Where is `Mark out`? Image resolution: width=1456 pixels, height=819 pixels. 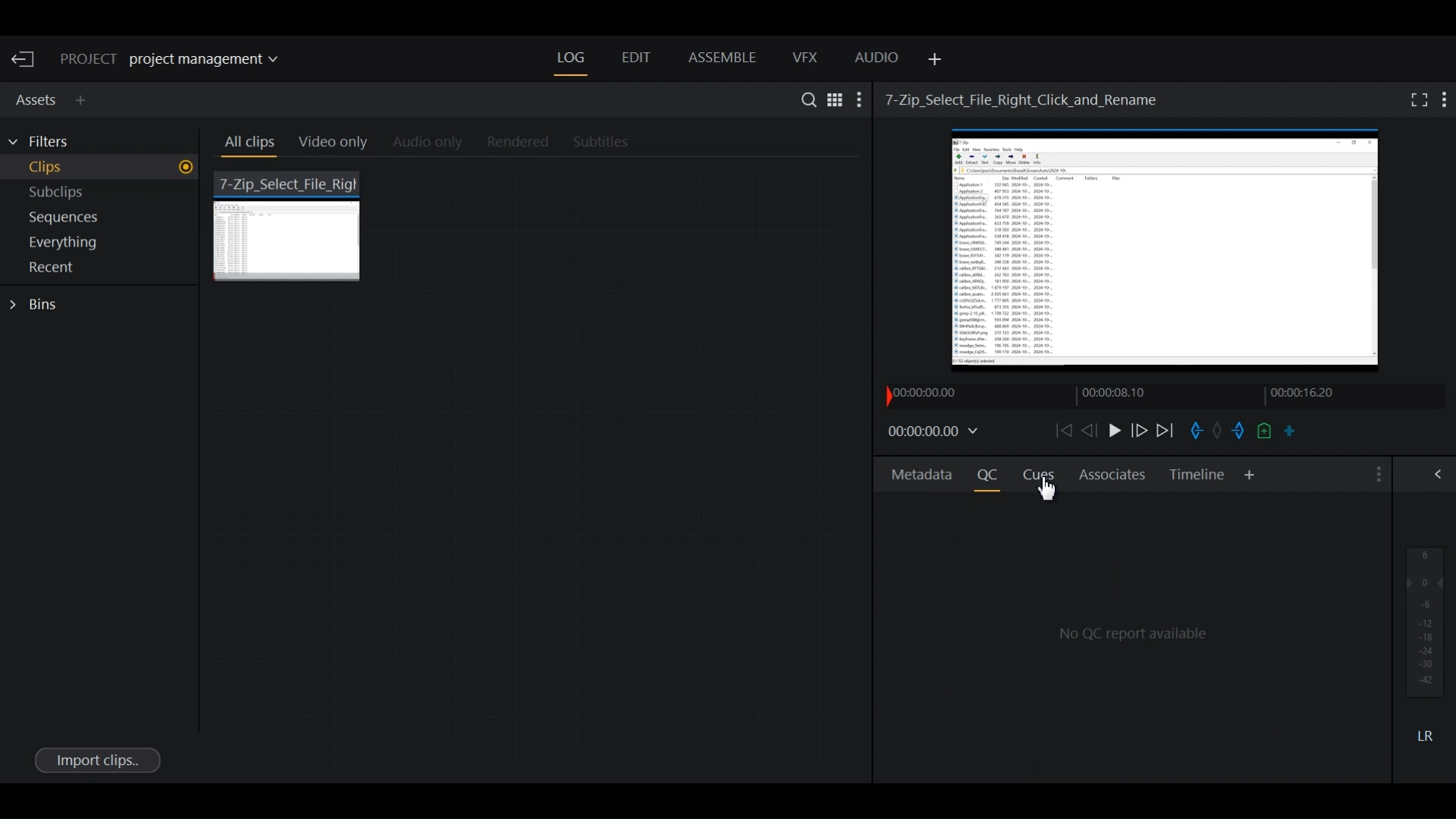 Mark out is located at coordinates (1237, 431).